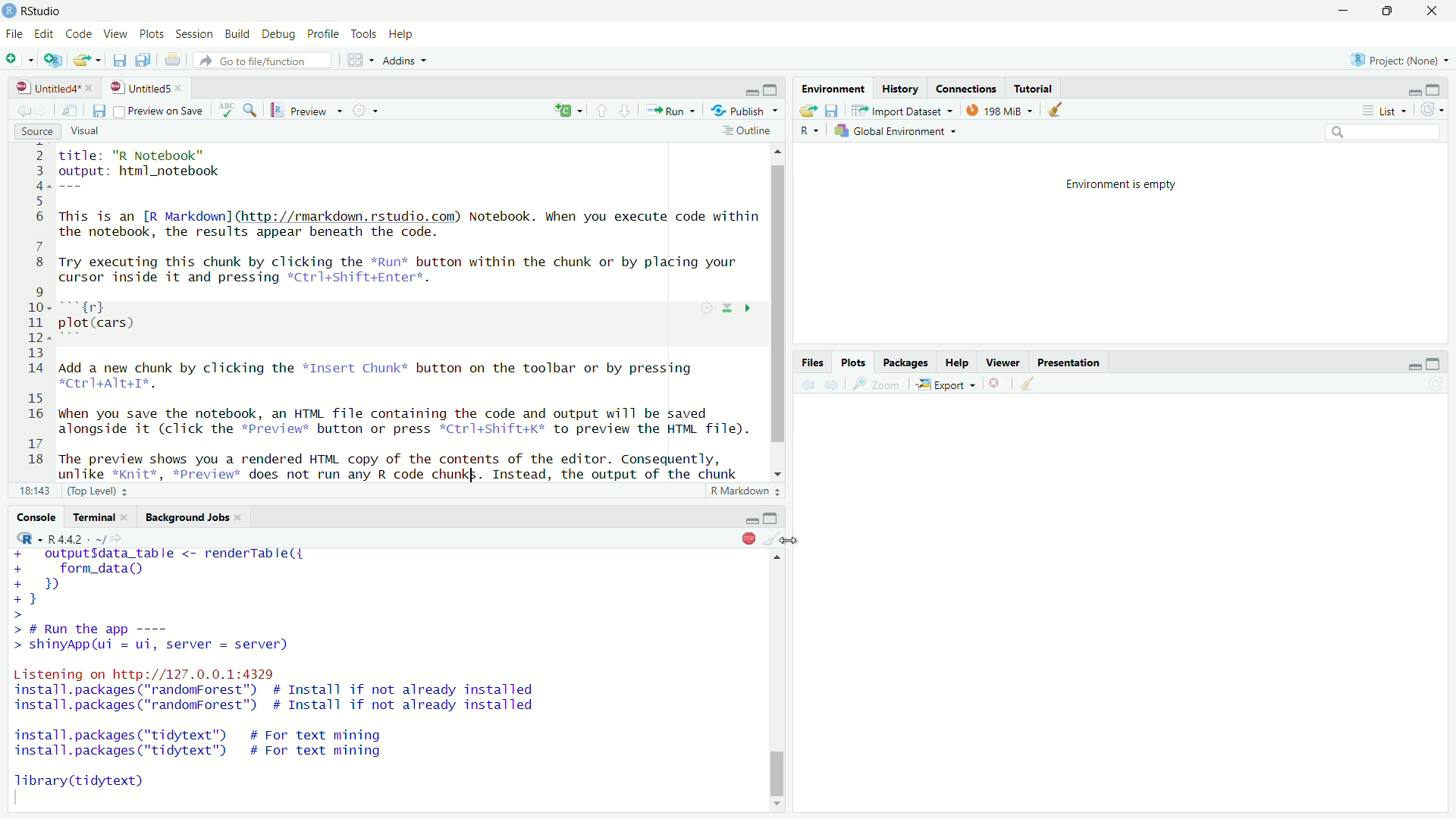  Describe the element at coordinates (70, 111) in the screenshot. I see `show in new window` at that location.